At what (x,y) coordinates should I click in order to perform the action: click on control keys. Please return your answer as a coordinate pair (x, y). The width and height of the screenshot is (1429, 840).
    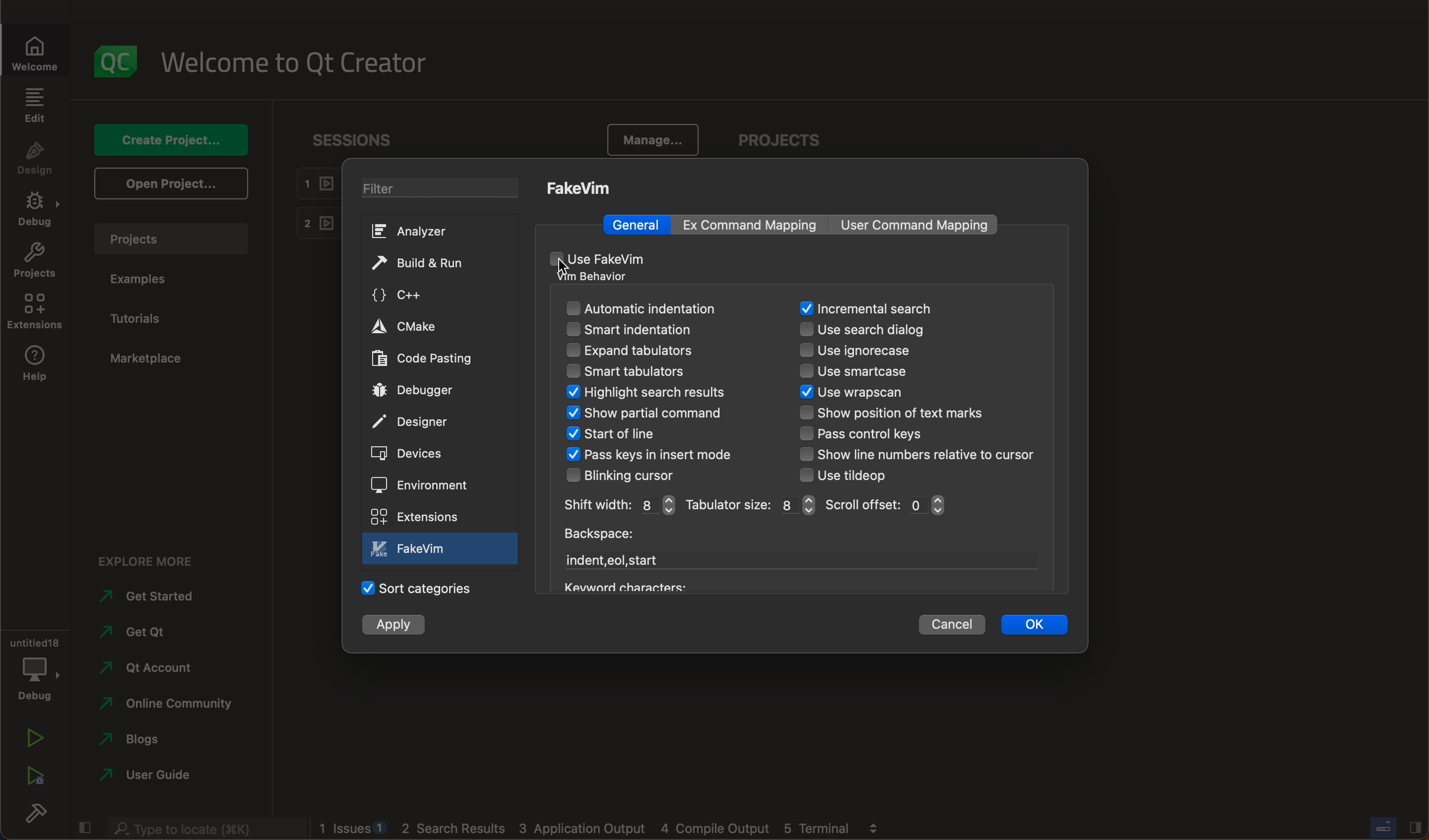
    Looking at the image, I should click on (873, 435).